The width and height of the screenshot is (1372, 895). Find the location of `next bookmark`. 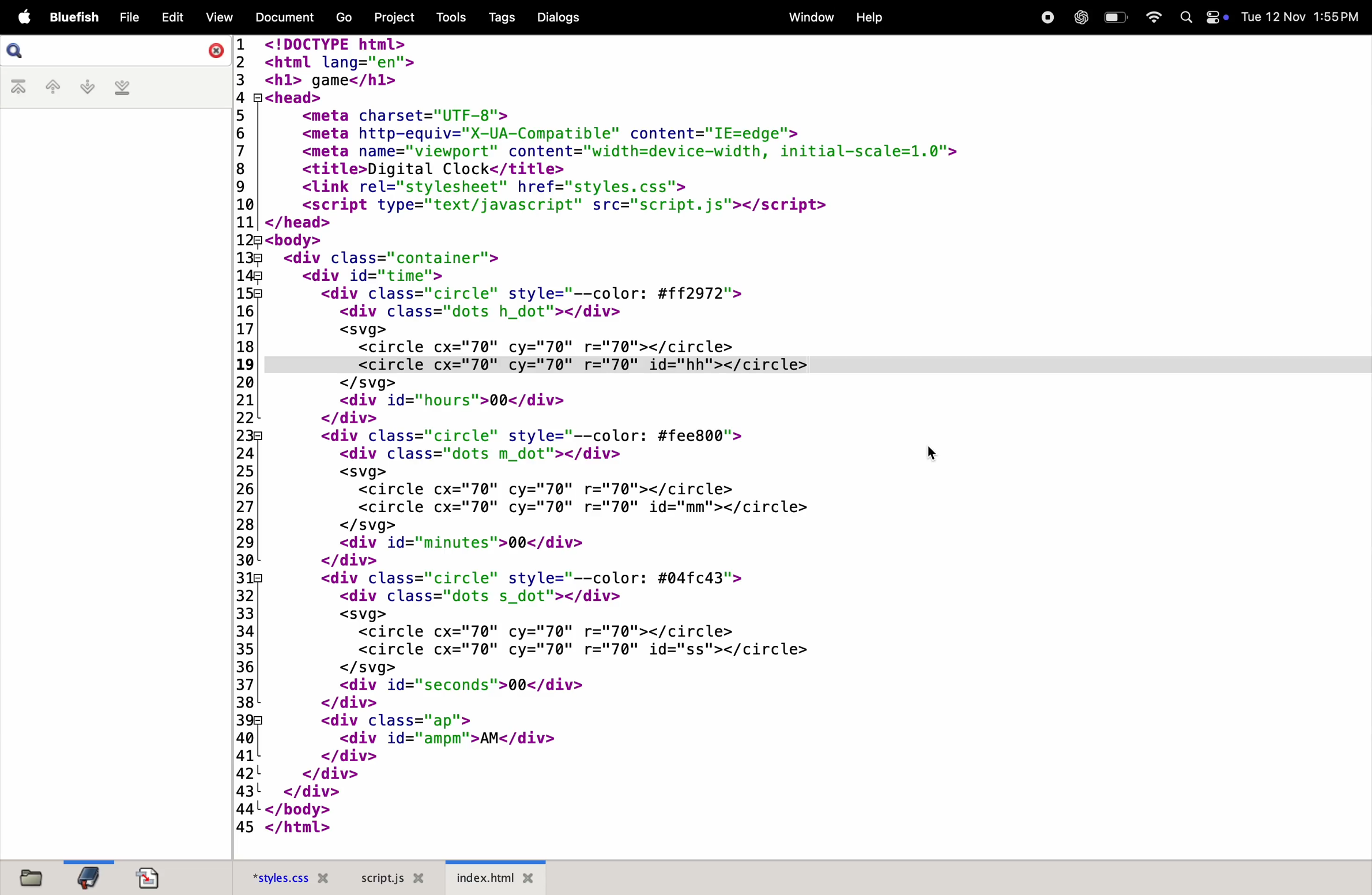

next bookmark is located at coordinates (84, 87).